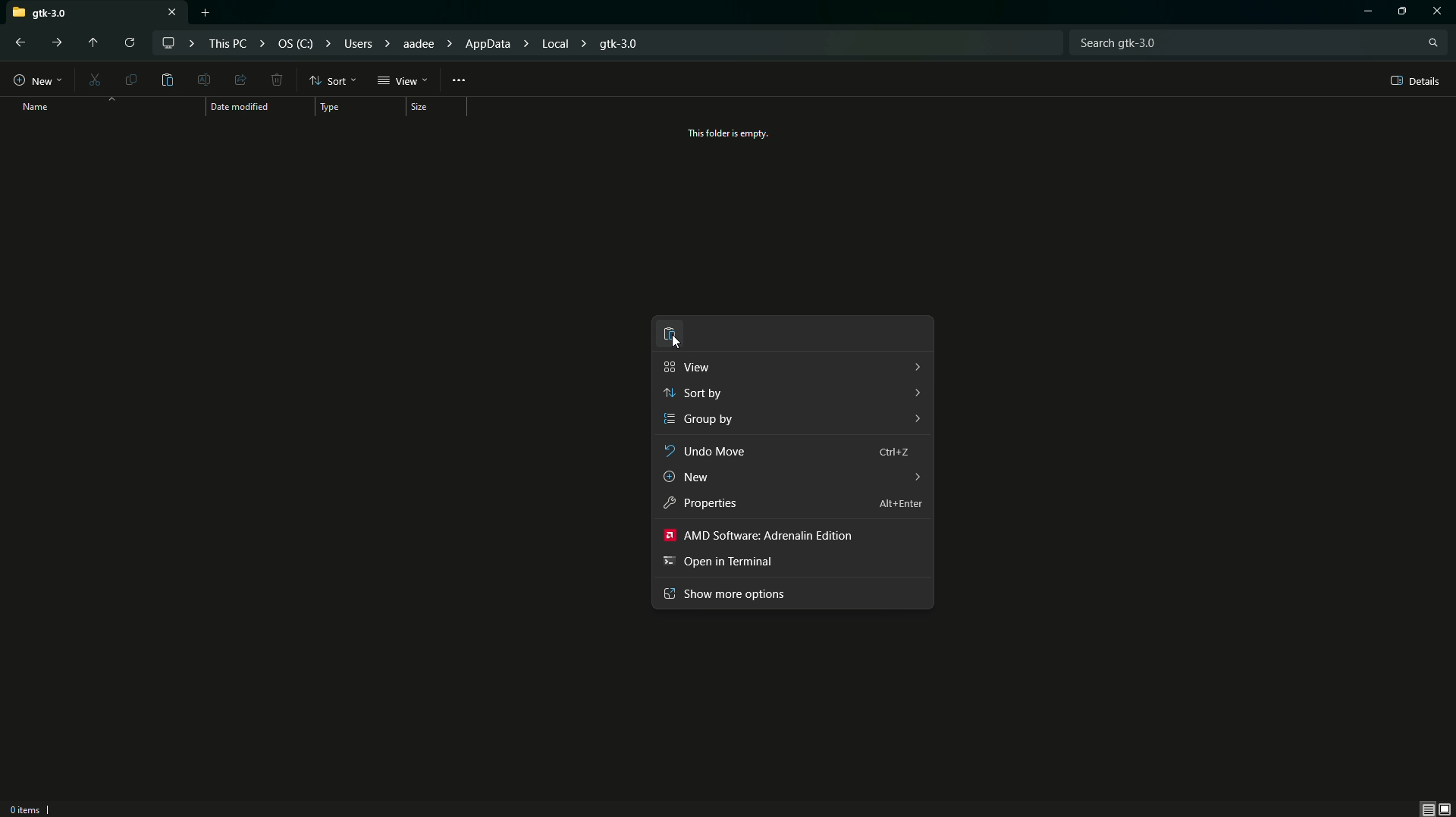  I want to click on Thumbnail view, so click(1437, 808).